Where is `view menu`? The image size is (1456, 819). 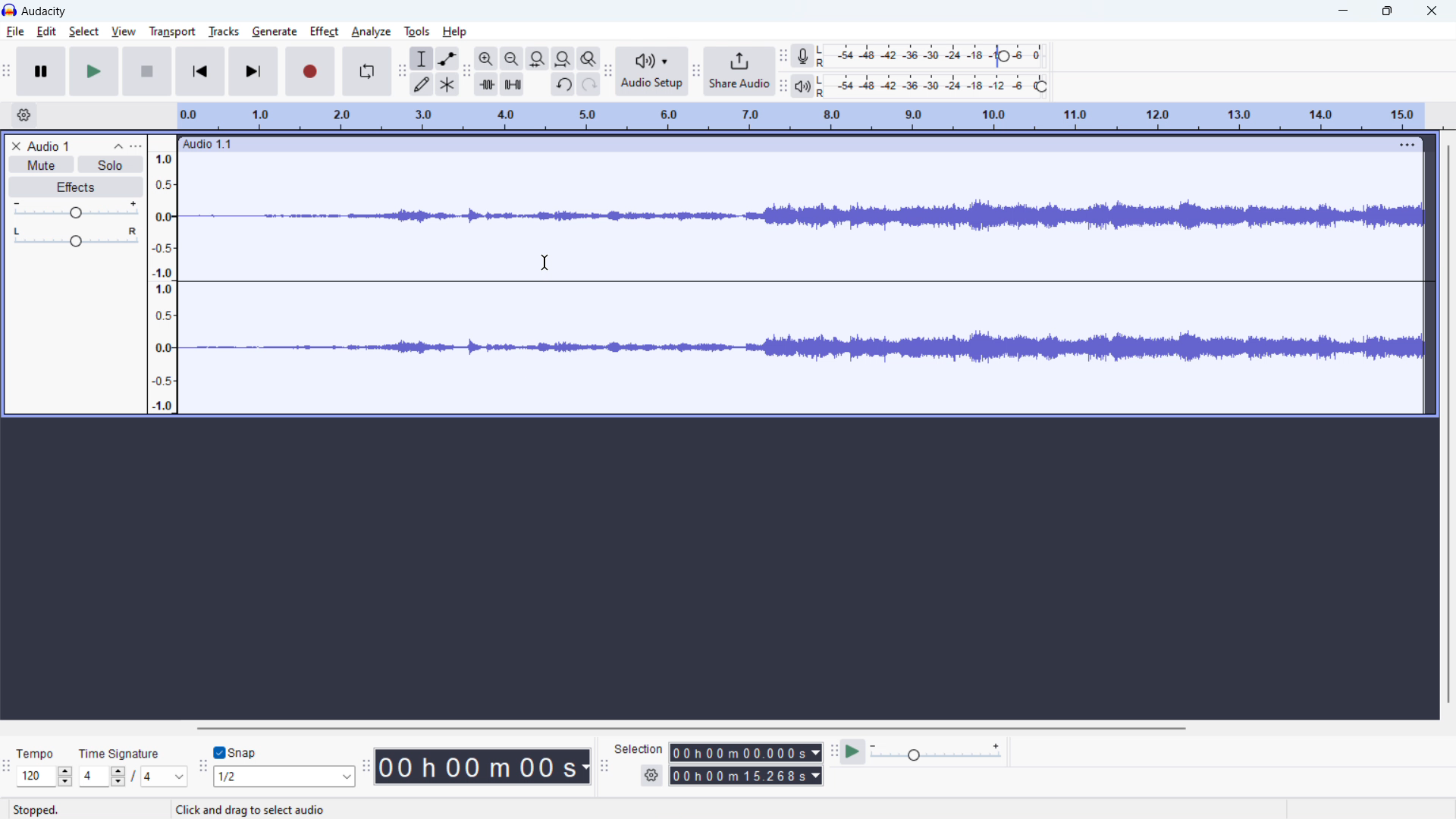
view menu is located at coordinates (137, 146).